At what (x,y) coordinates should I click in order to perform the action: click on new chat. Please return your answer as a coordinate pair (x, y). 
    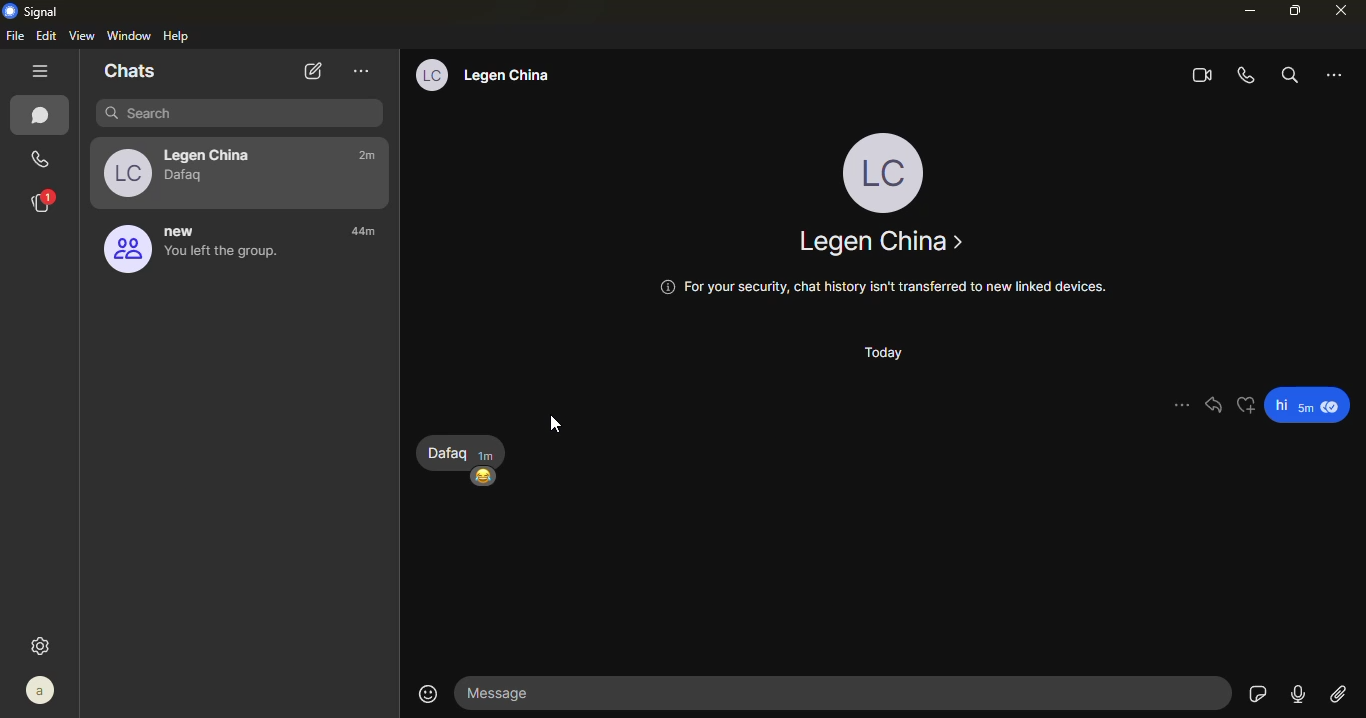
    Looking at the image, I should click on (310, 71).